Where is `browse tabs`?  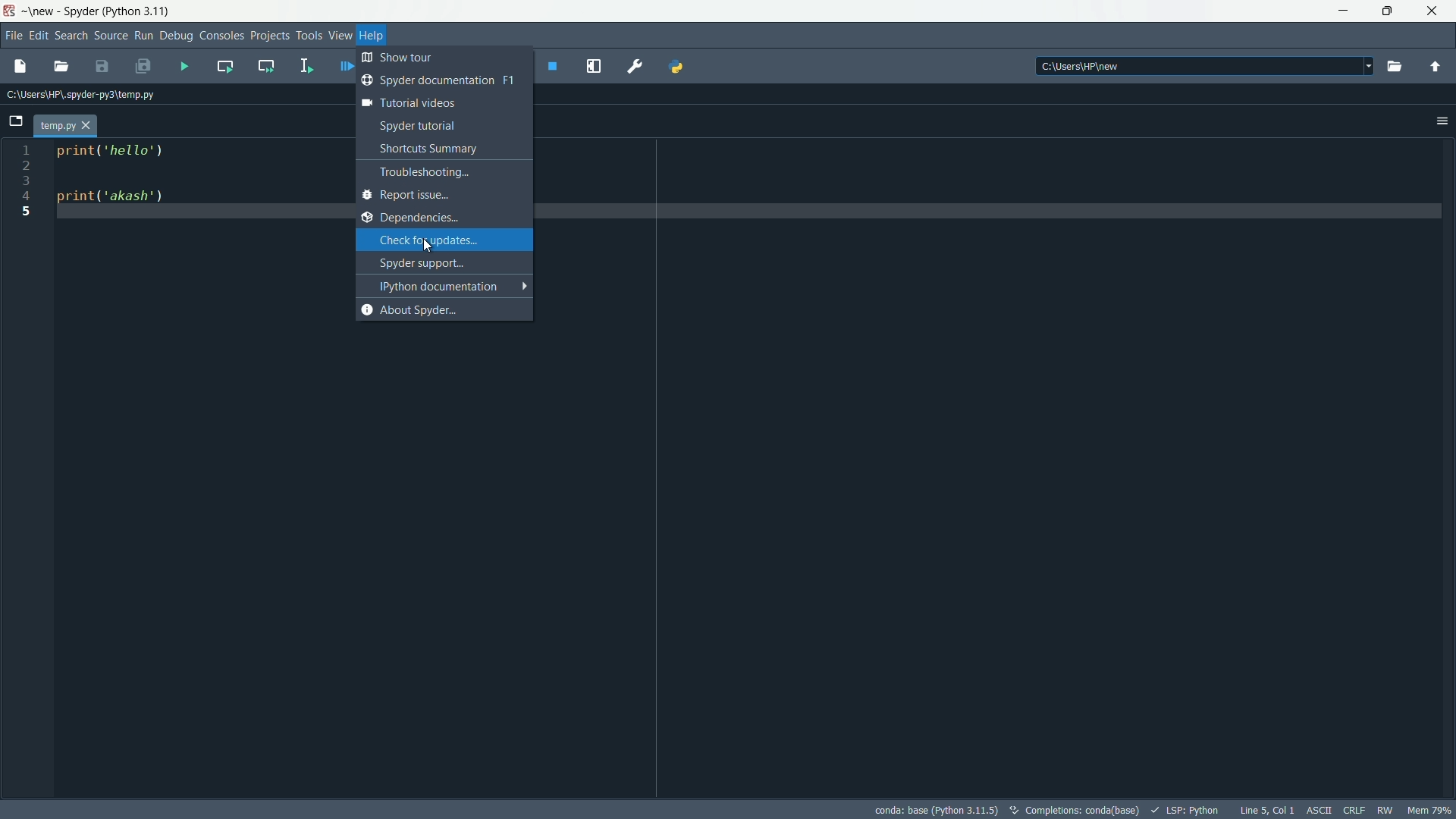 browse tabs is located at coordinates (17, 120).